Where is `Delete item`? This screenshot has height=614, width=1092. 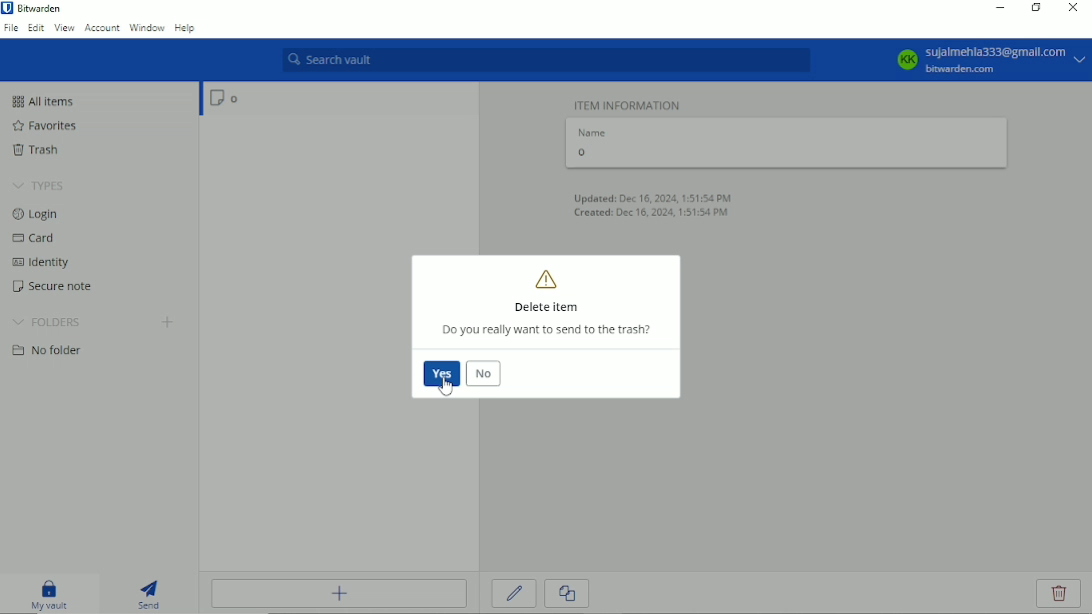
Delete item is located at coordinates (546, 308).